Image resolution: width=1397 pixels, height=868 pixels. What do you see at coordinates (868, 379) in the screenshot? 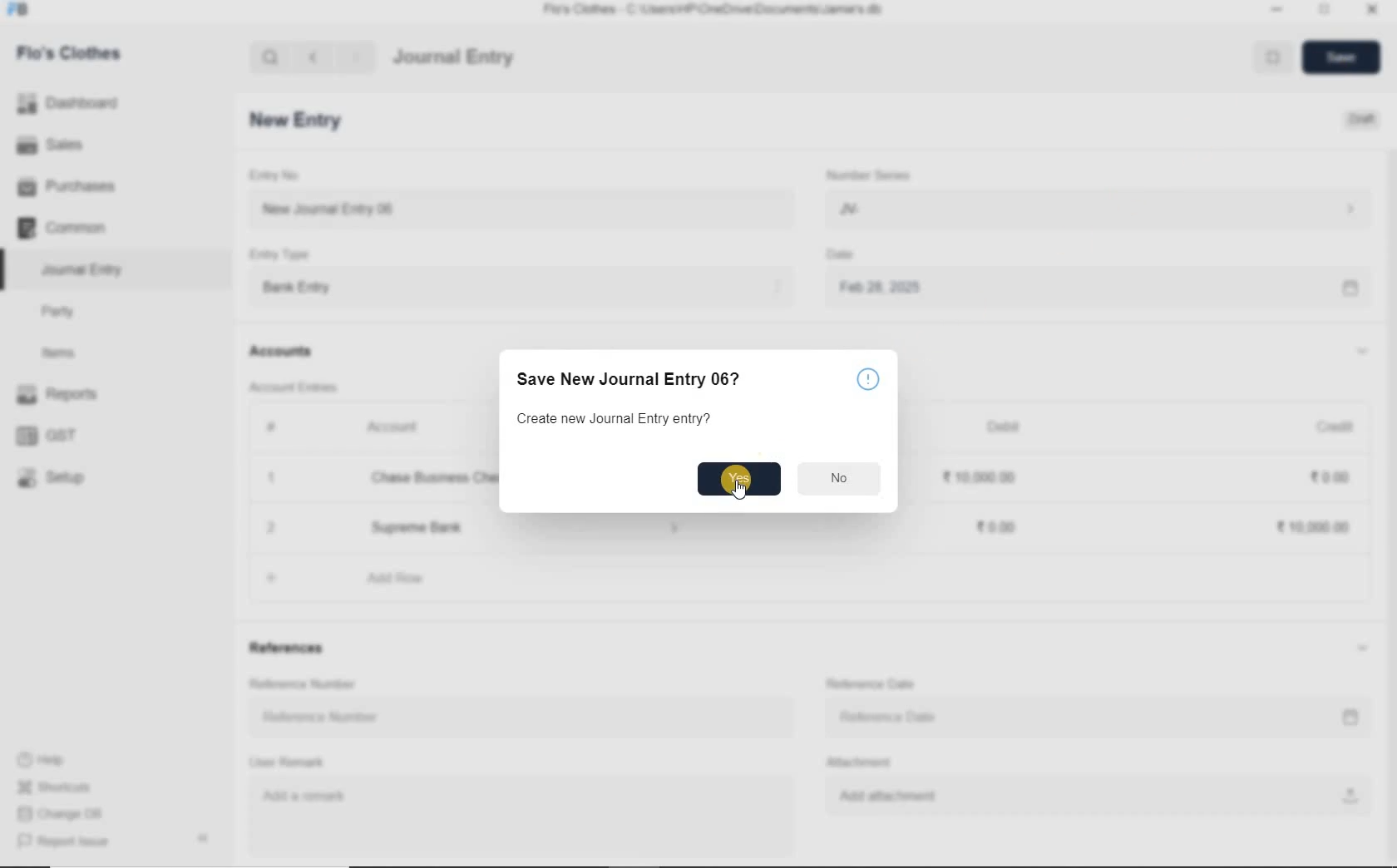
I see `more info` at bounding box center [868, 379].